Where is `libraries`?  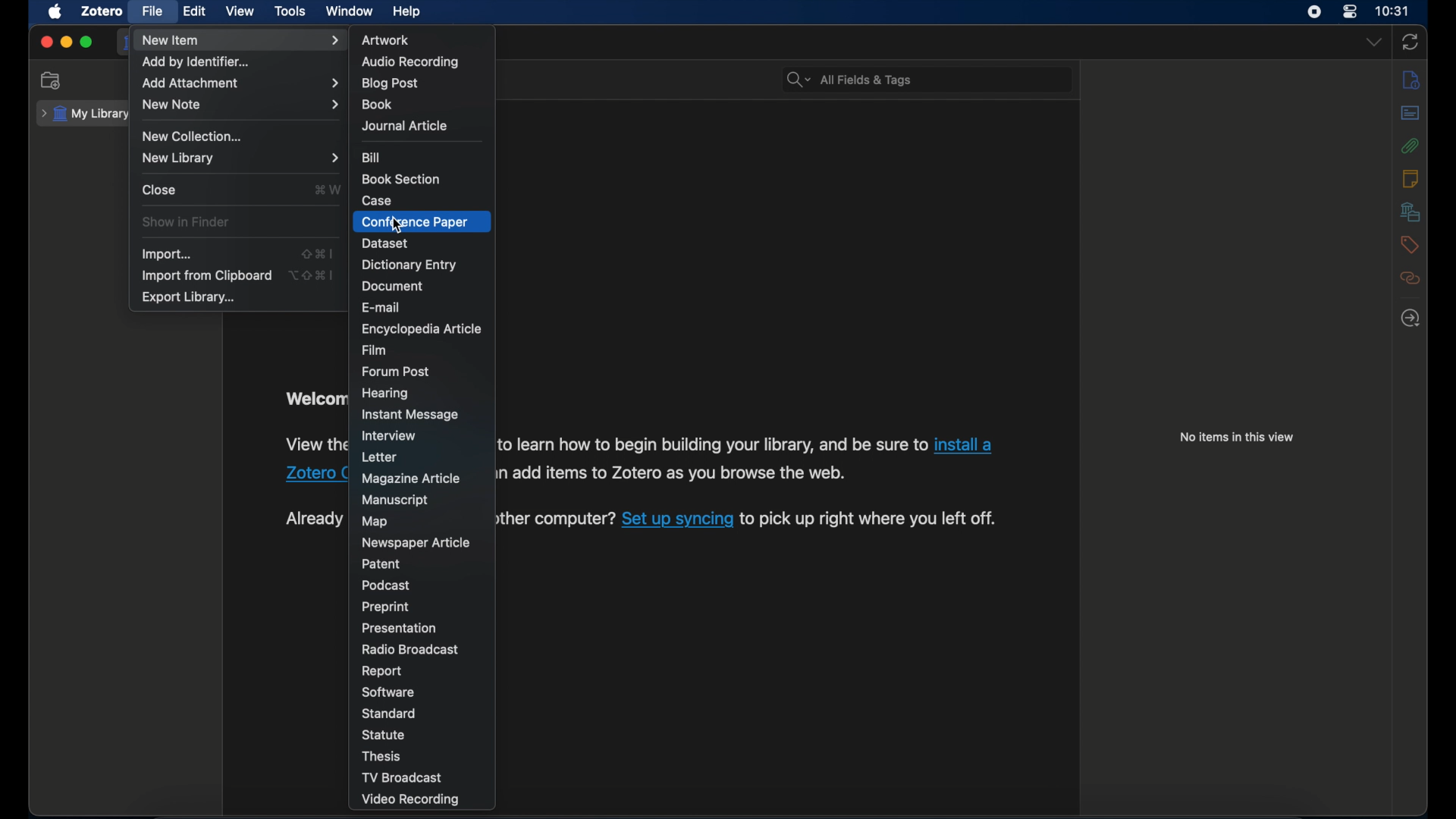 libraries is located at coordinates (1411, 212).